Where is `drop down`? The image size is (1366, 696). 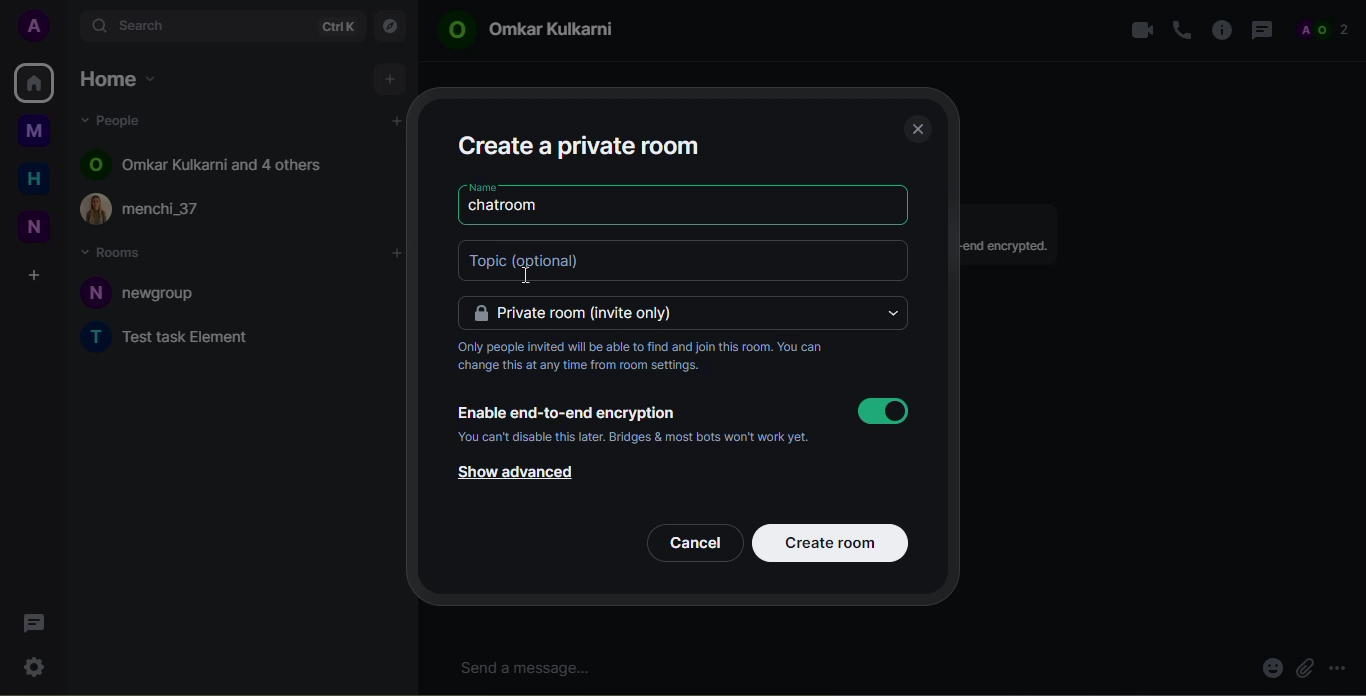 drop down is located at coordinates (891, 313).